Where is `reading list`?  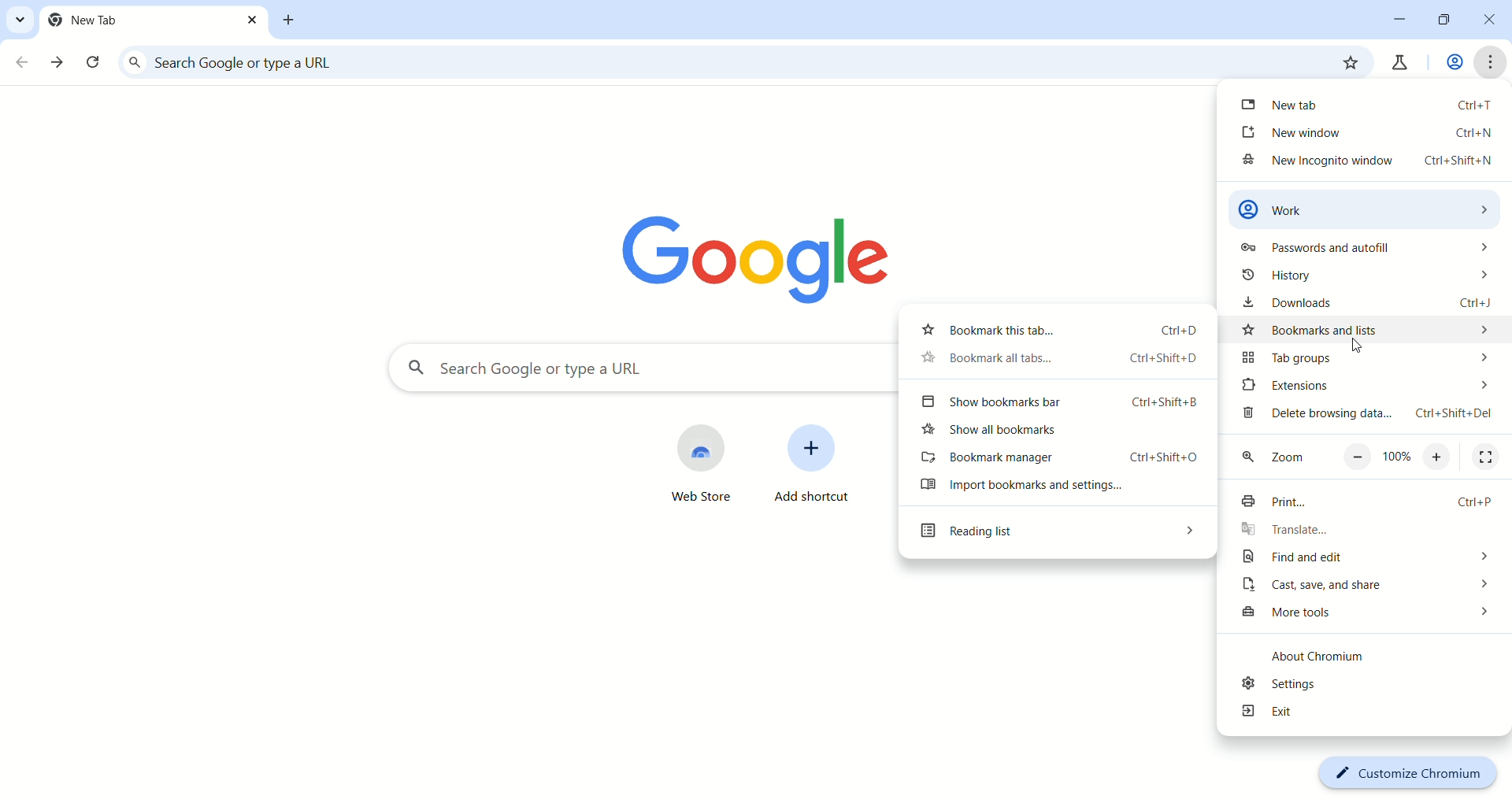 reading list is located at coordinates (1054, 535).